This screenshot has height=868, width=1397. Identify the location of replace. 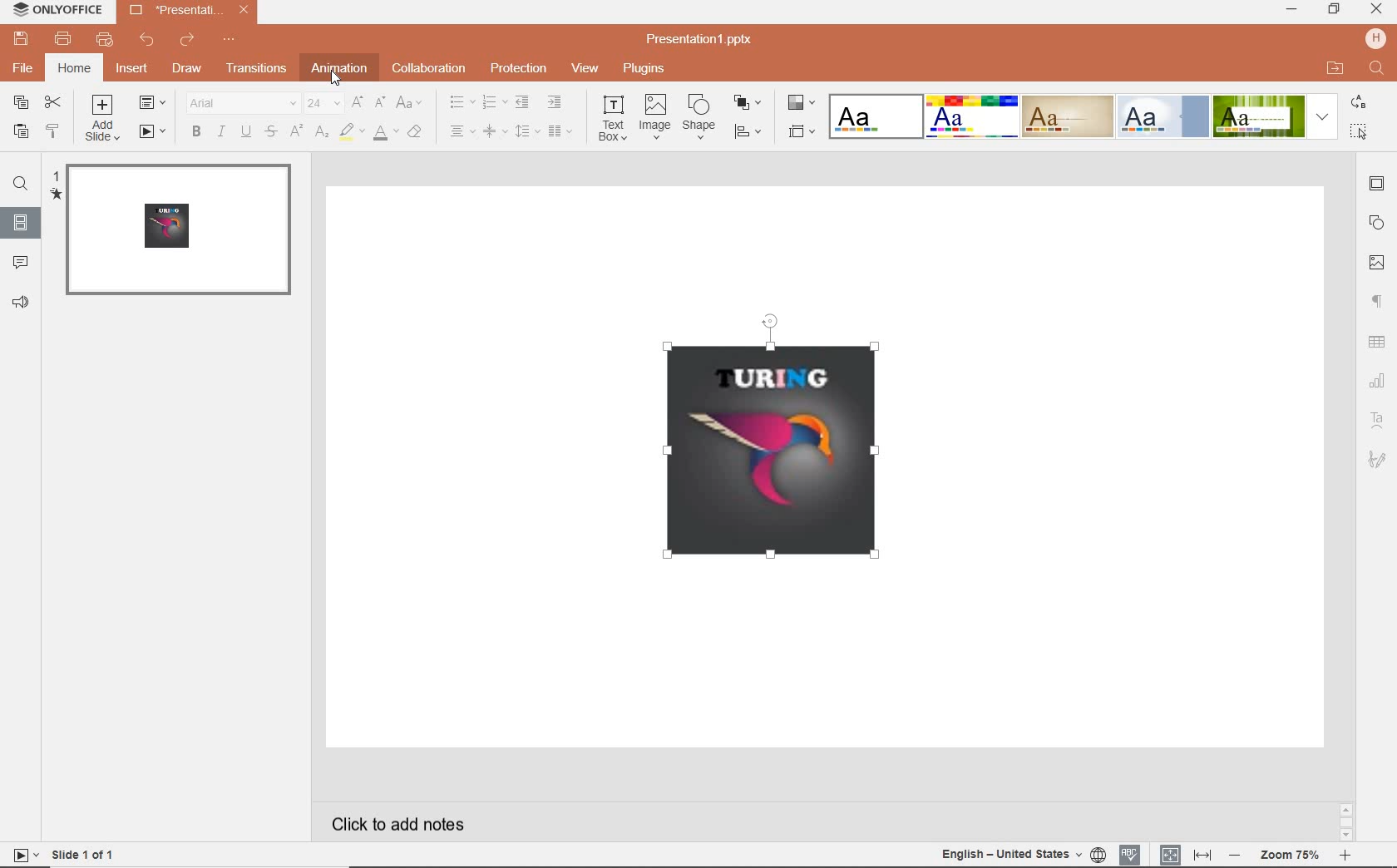
(1362, 104).